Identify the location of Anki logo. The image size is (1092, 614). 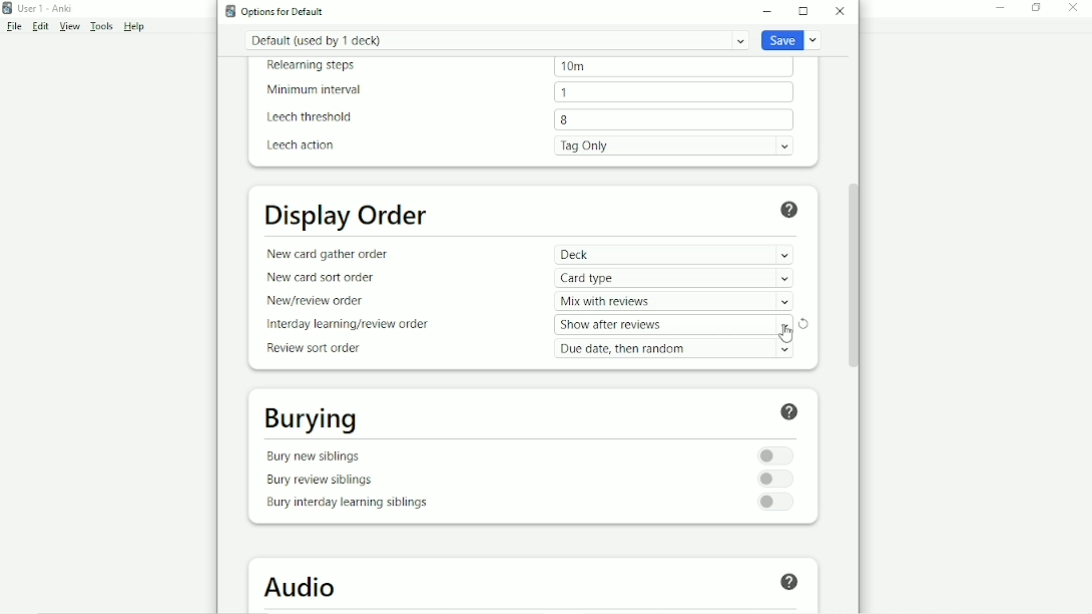
(8, 8).